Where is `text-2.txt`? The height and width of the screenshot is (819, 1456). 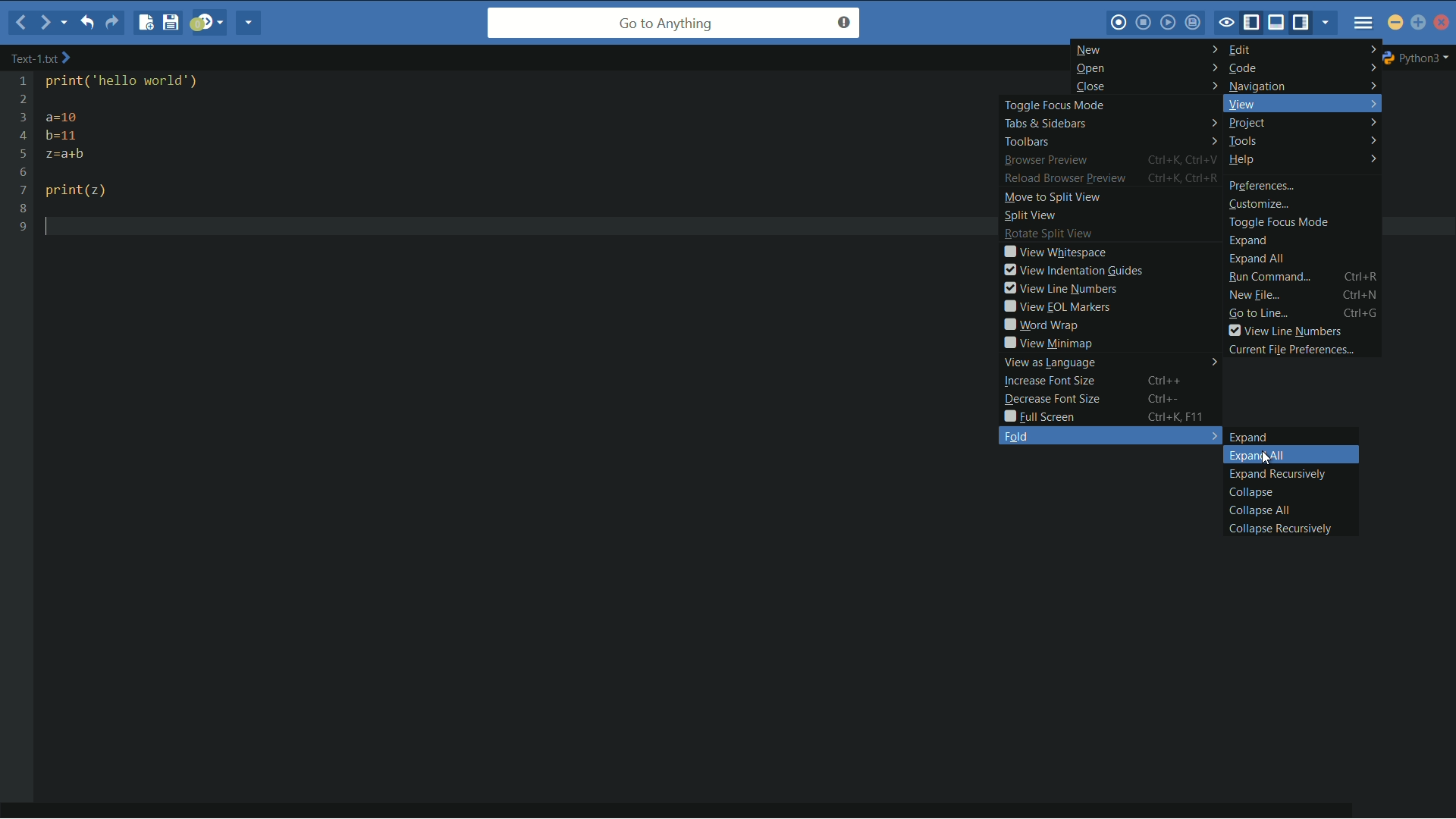
text-2.txt is located at coordinates (41, 58).